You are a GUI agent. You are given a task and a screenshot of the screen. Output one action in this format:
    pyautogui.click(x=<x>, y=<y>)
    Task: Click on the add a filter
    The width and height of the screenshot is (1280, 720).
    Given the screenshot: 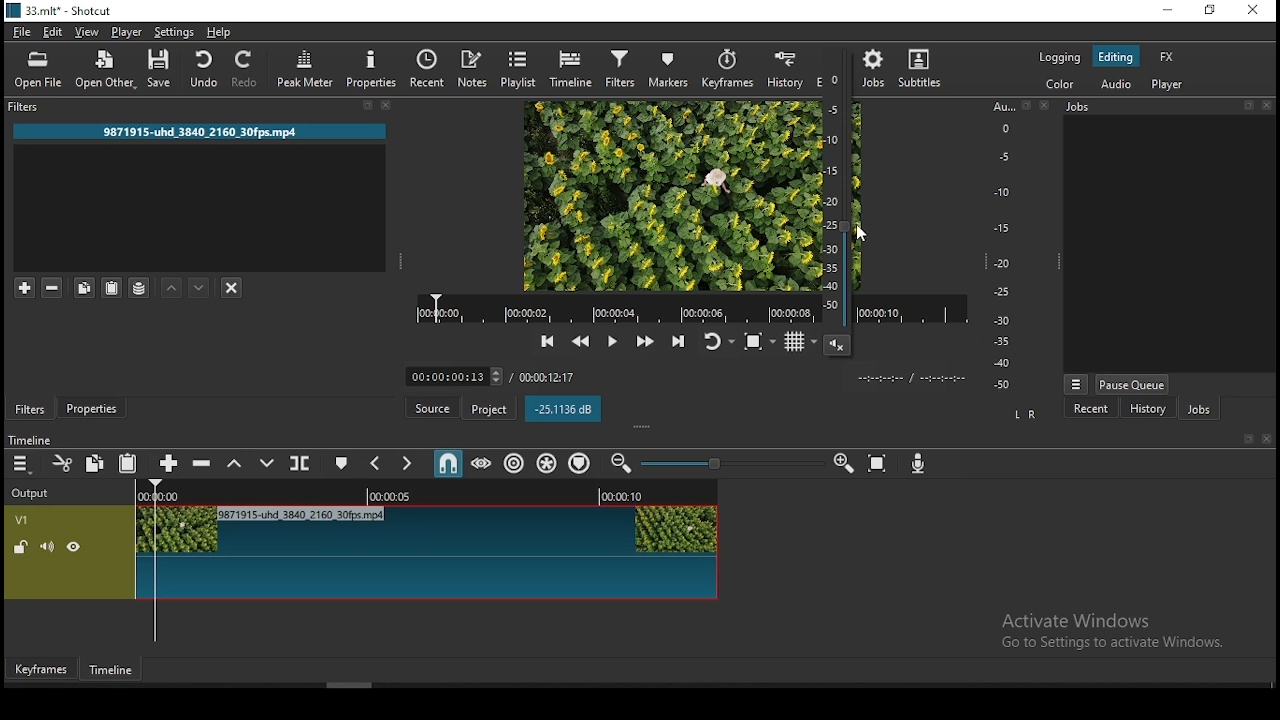 What is the action you would take?
    pyautogui.click(x=26, y=288)
    